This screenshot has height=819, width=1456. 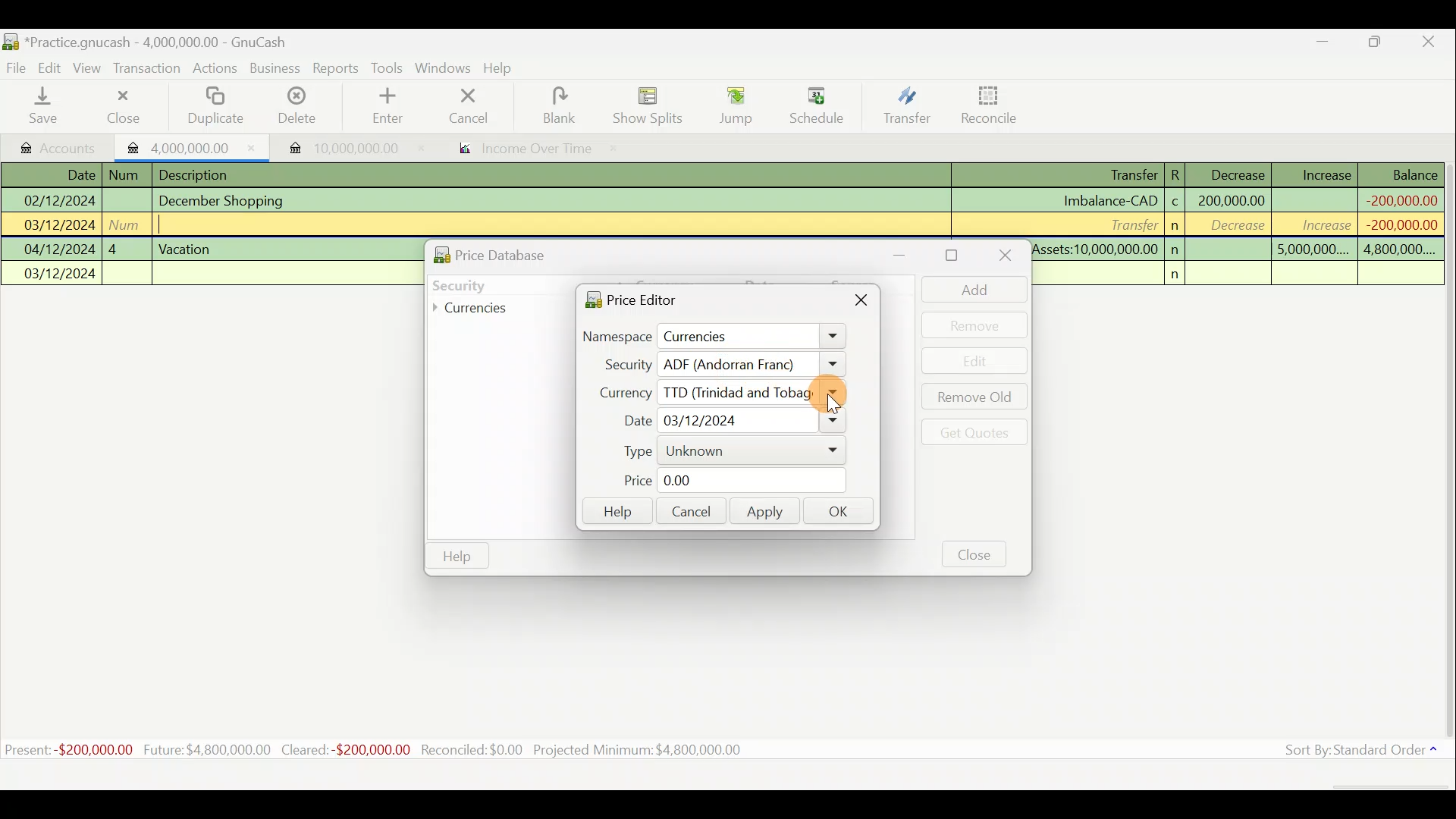 What do you see at coordinates (524, 253) in the screenshot?
I see `Price database` at bounding box center [524, 253].